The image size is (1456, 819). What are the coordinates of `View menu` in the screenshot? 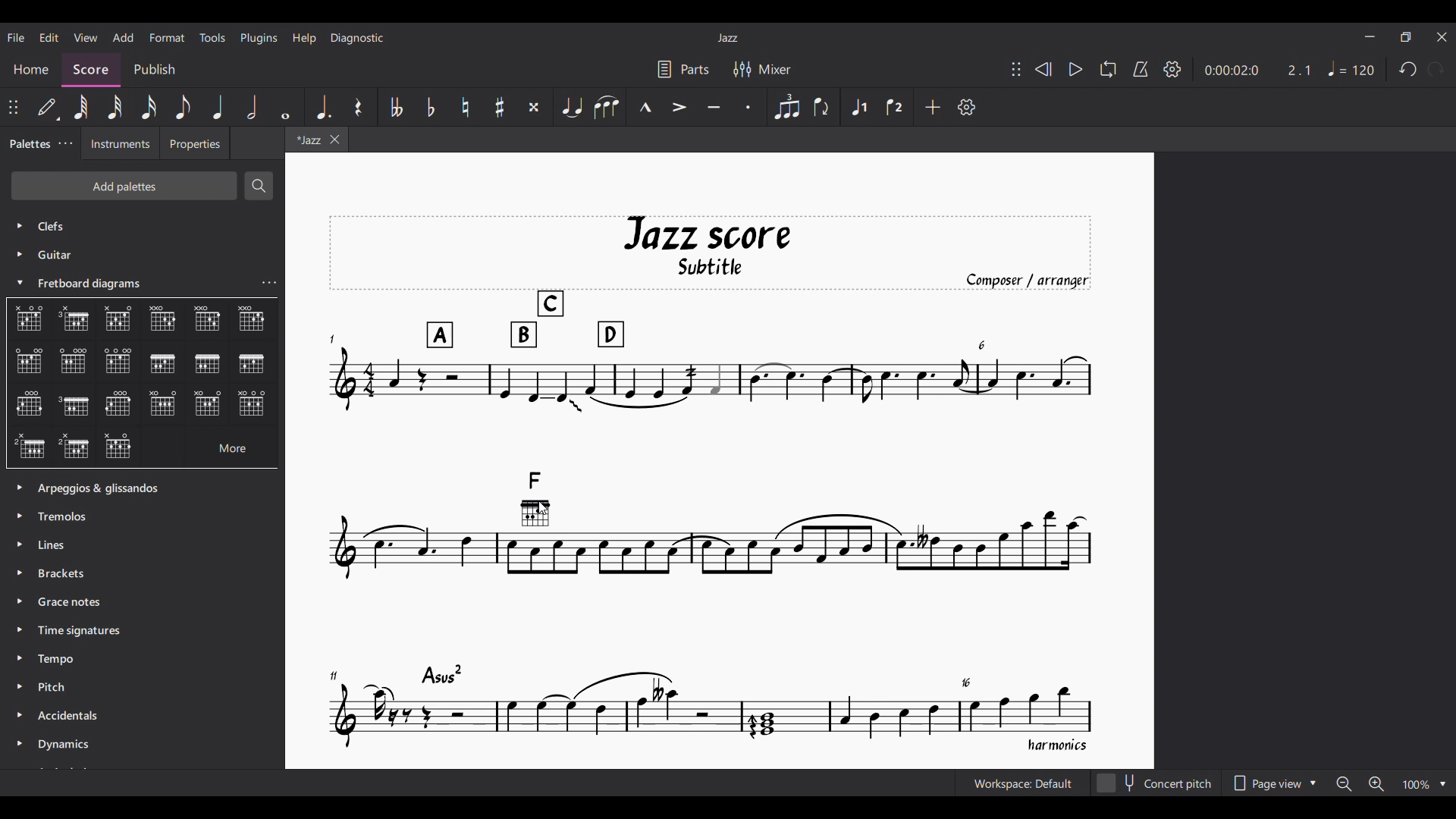 It's located at (86, 38).